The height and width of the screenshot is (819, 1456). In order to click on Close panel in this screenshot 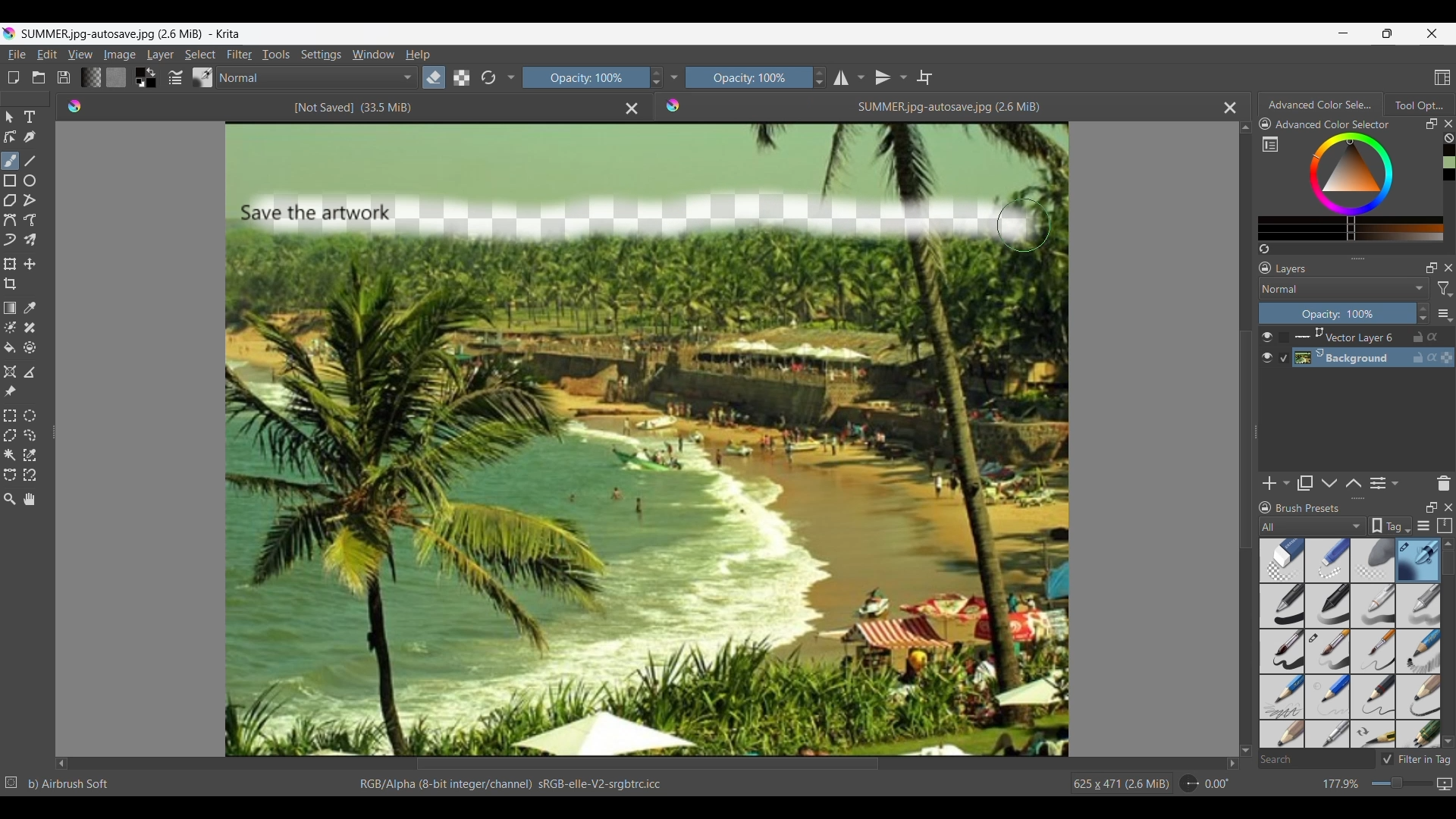, I will do `click(1448, 507)`.